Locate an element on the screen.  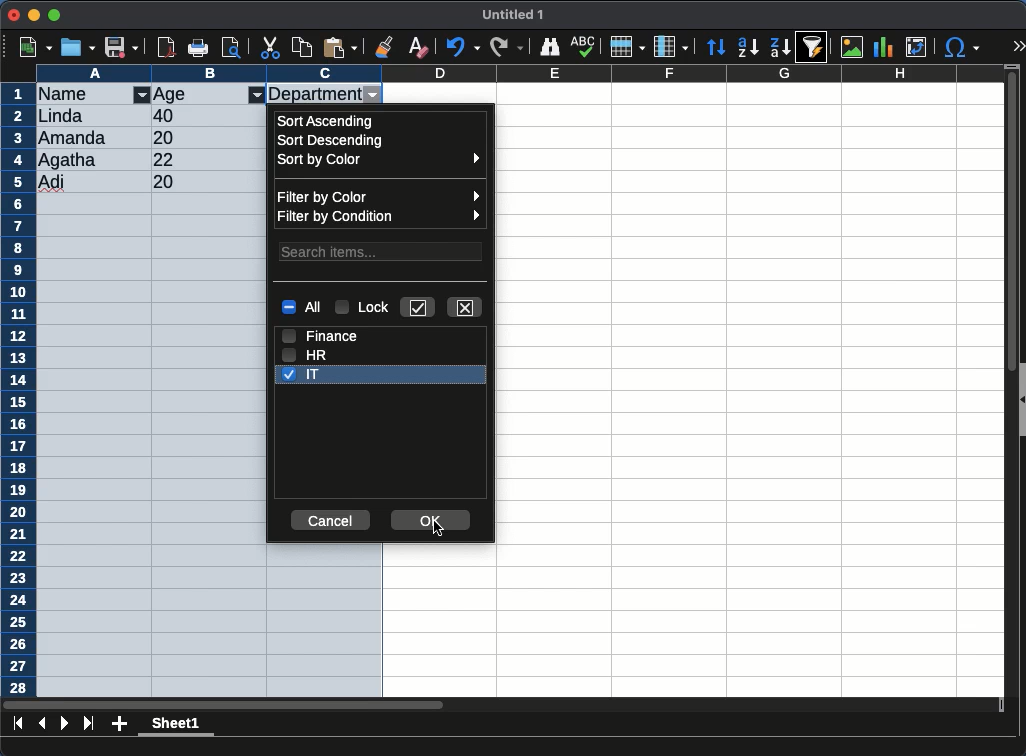
undo is located at coordinates (463, 48).